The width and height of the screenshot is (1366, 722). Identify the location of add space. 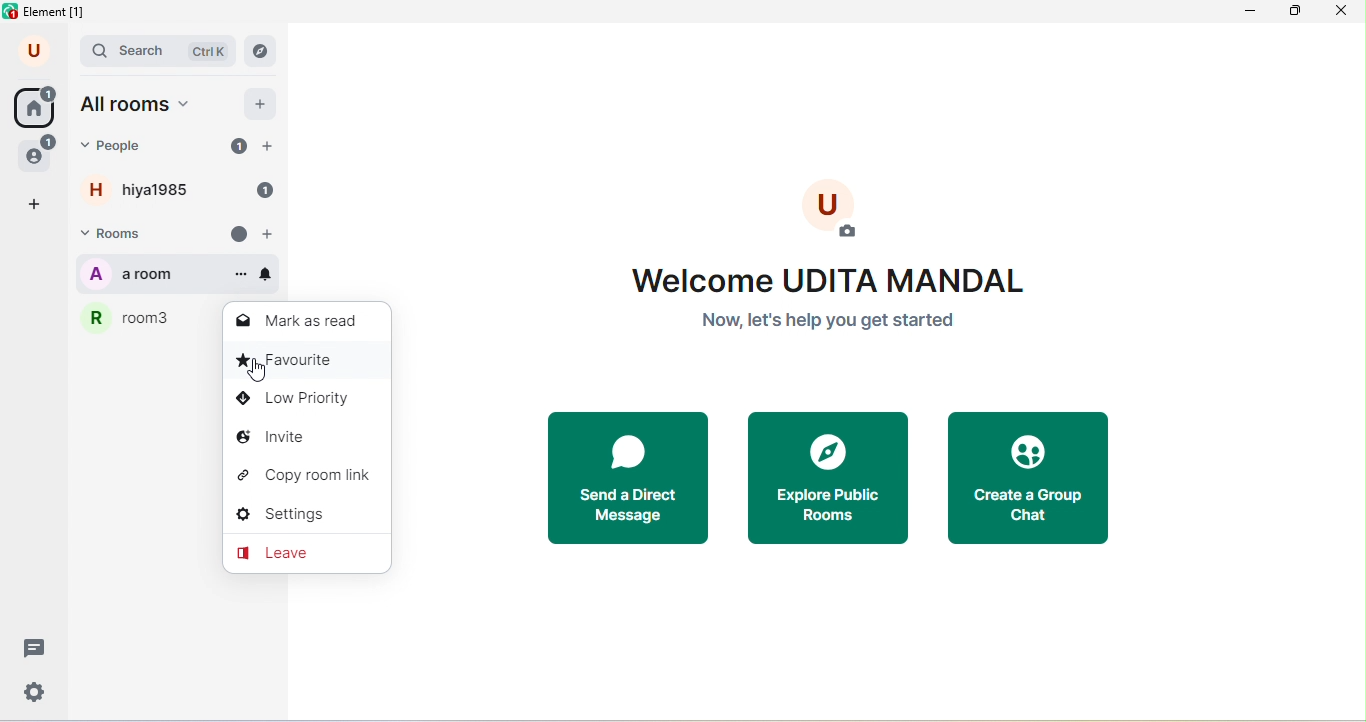
(36, 205).